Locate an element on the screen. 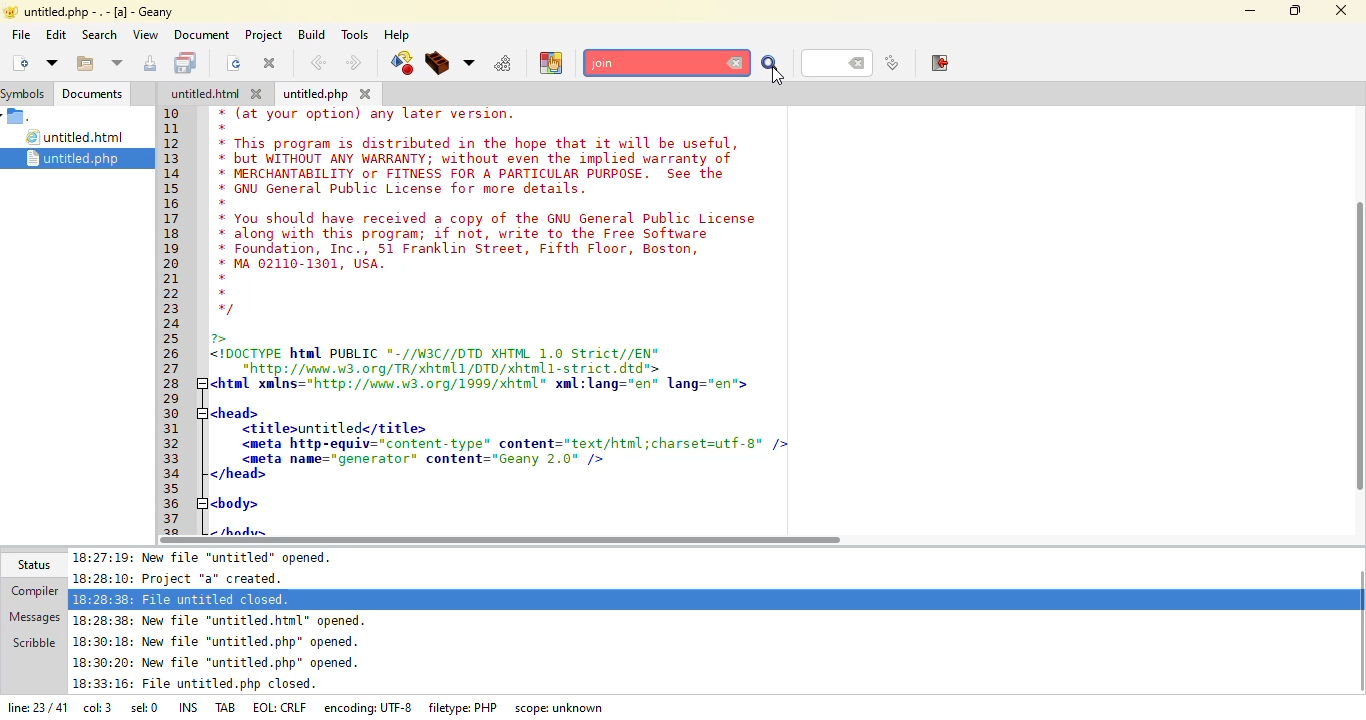 This screenshot has width=1366, height=720. * but without any warranty; without even the implied warranty of is located at coordinates (478, 160).